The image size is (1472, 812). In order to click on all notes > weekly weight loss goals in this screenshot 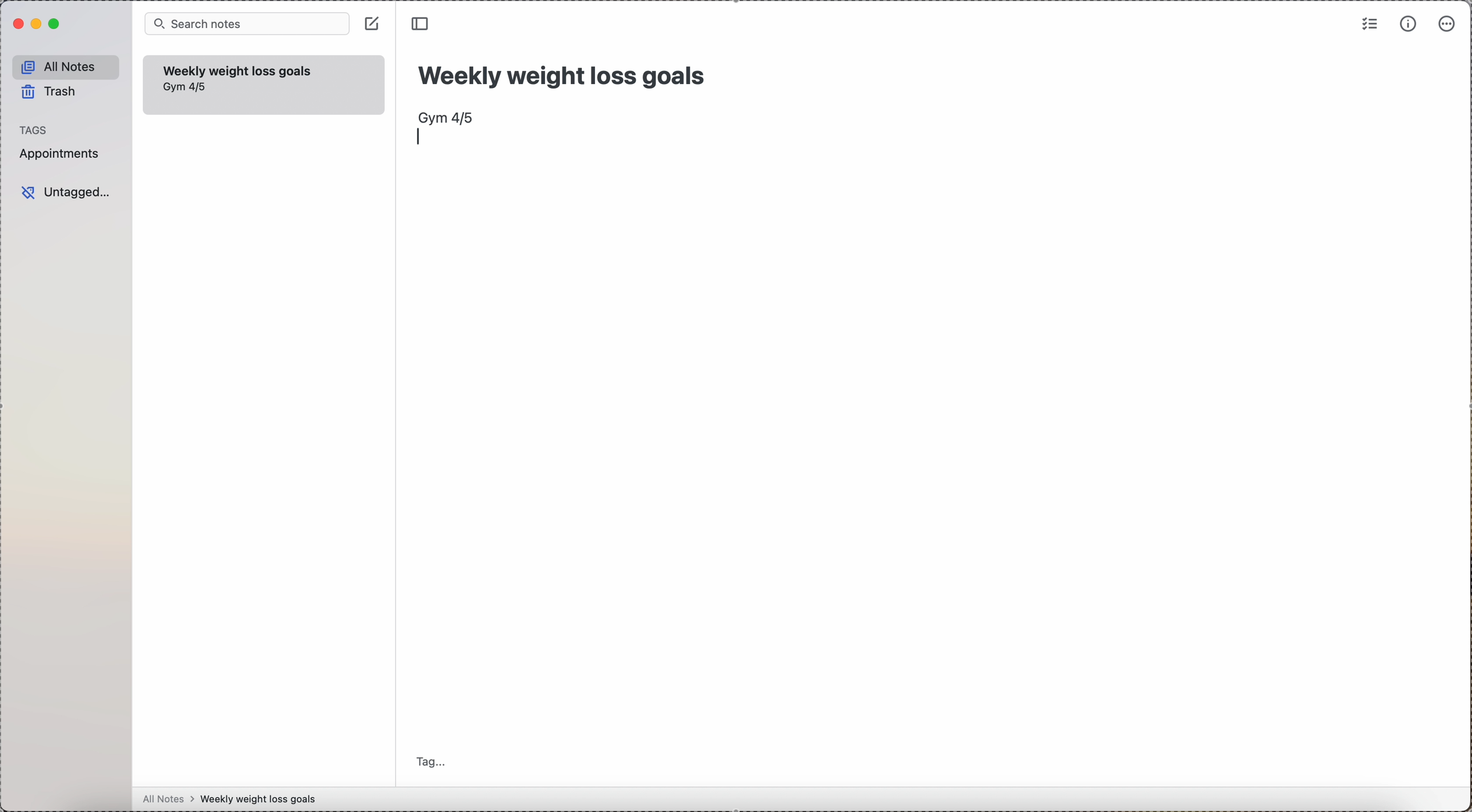, I will do `click(234, 799)`.